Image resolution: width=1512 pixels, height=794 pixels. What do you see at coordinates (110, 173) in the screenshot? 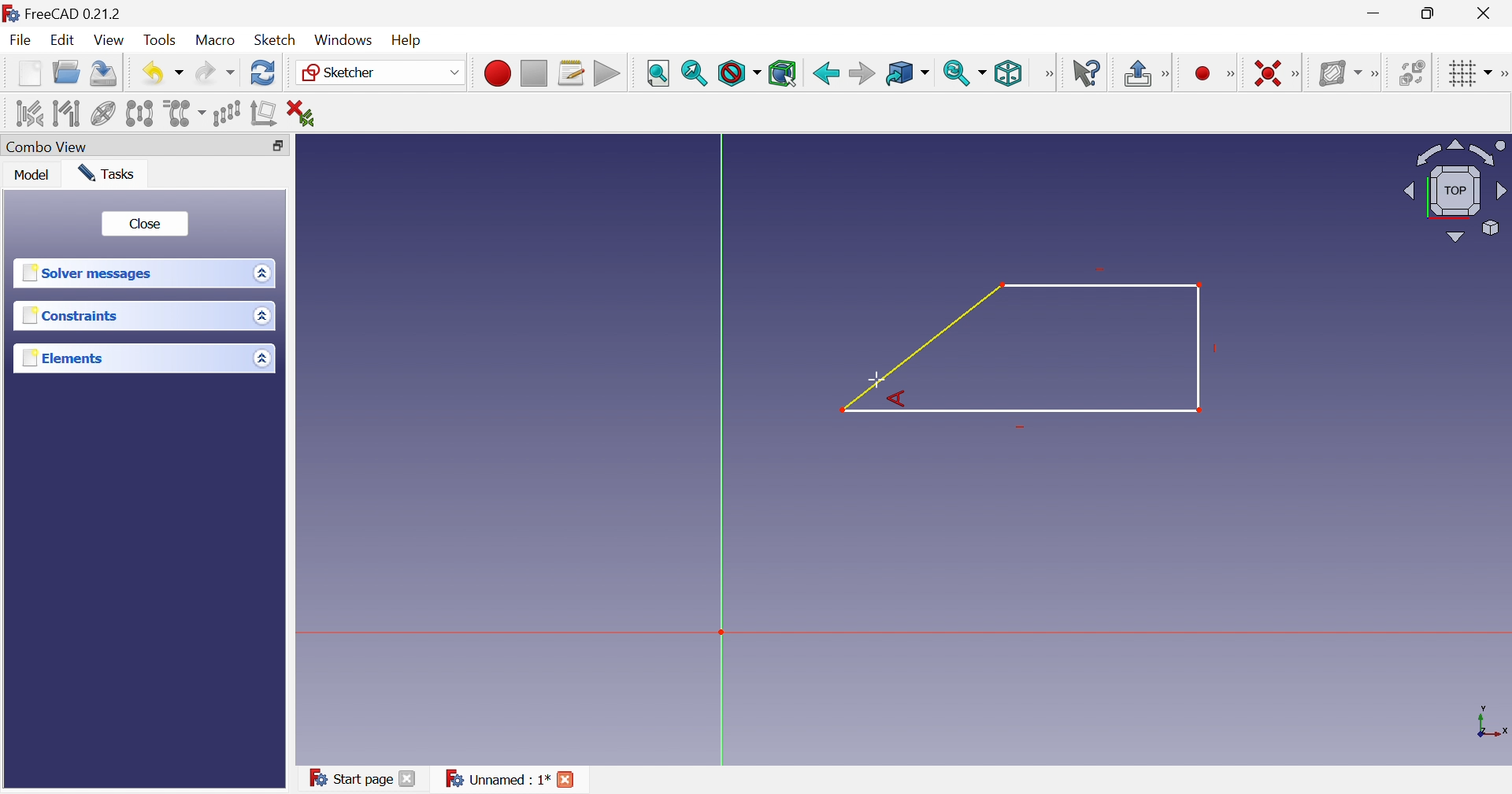
I see `Tasks` at bounding box center [110, 173].